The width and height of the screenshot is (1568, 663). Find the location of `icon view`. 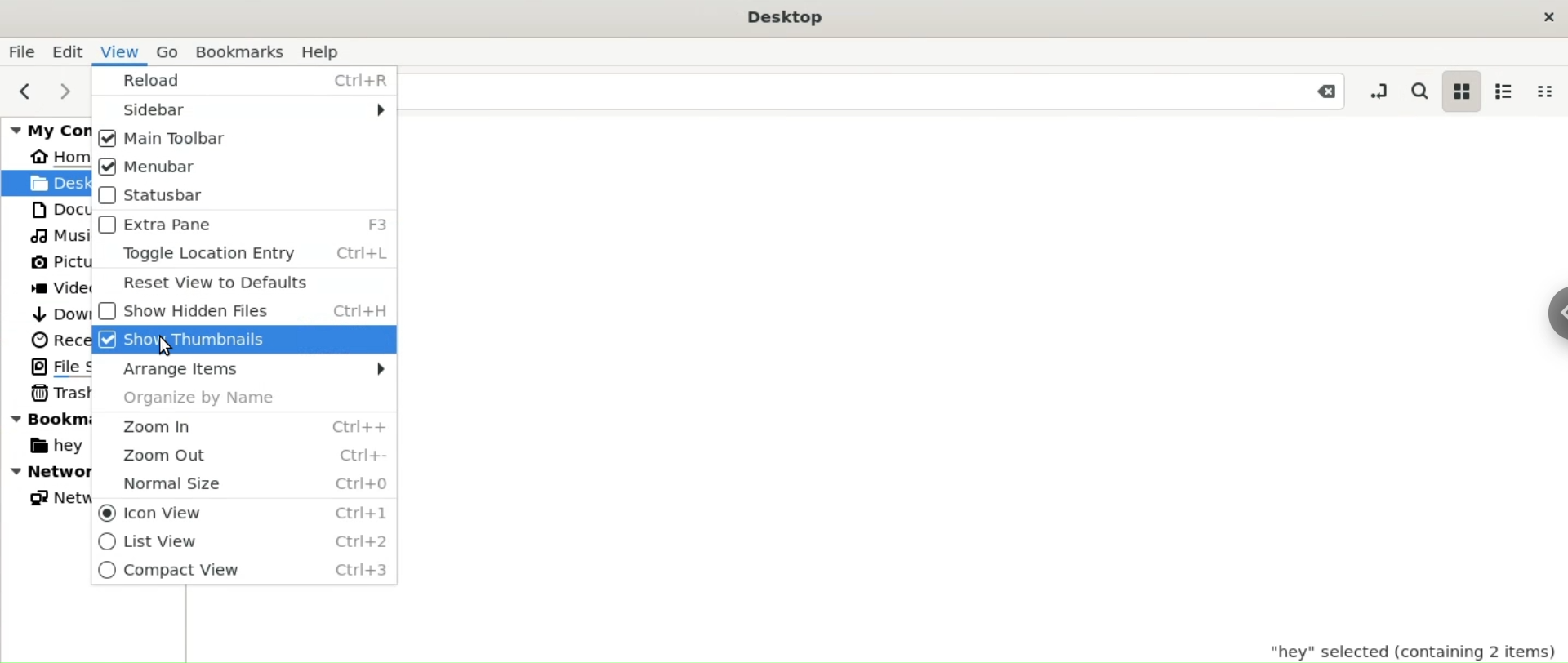

icon view is located at coordinates (1463, 91).